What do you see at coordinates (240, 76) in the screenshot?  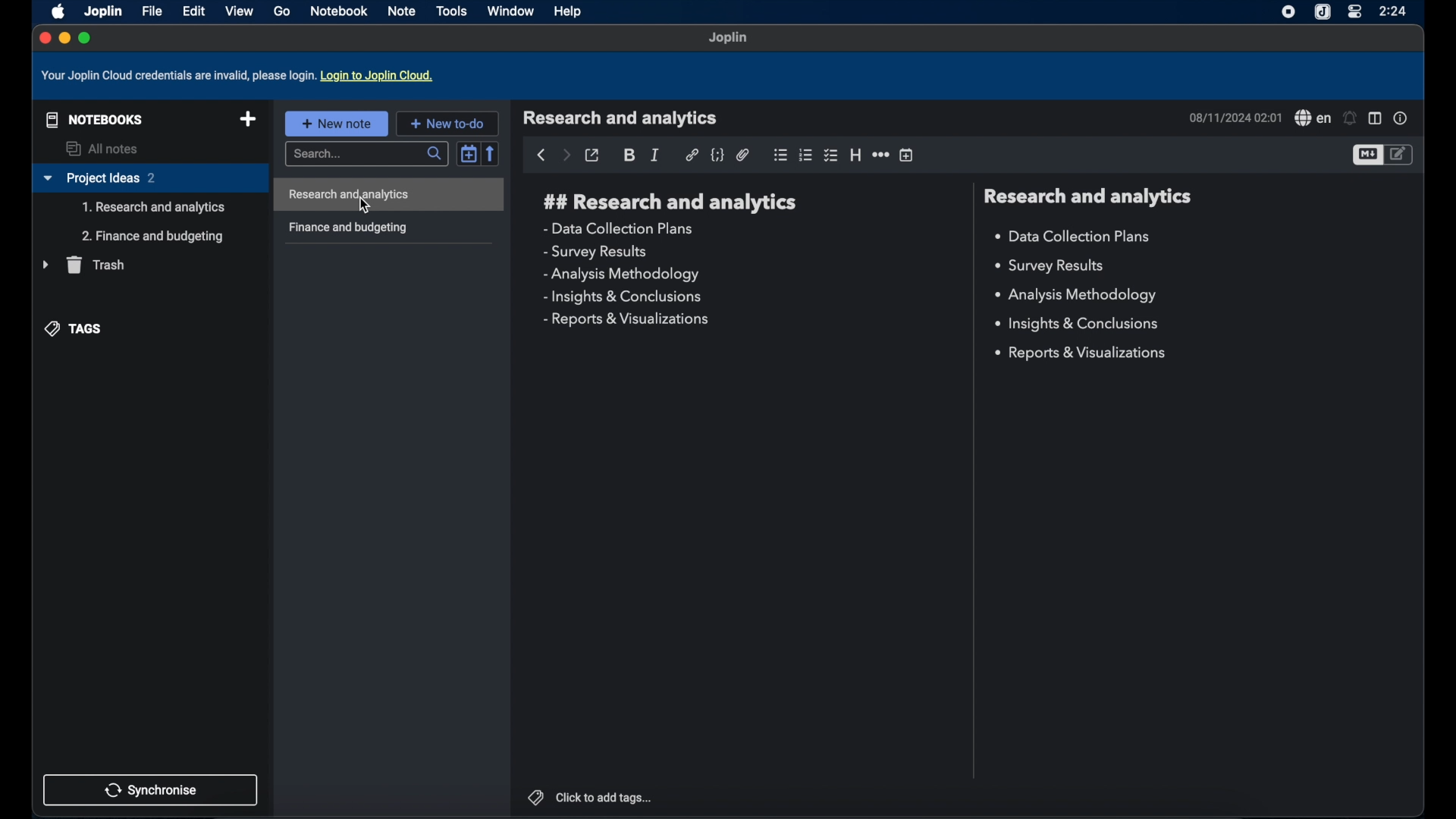 I see `your joplin cloud credentials are invalid, please log in.  Login to joplin cloud` at bounding box center [240, 76].